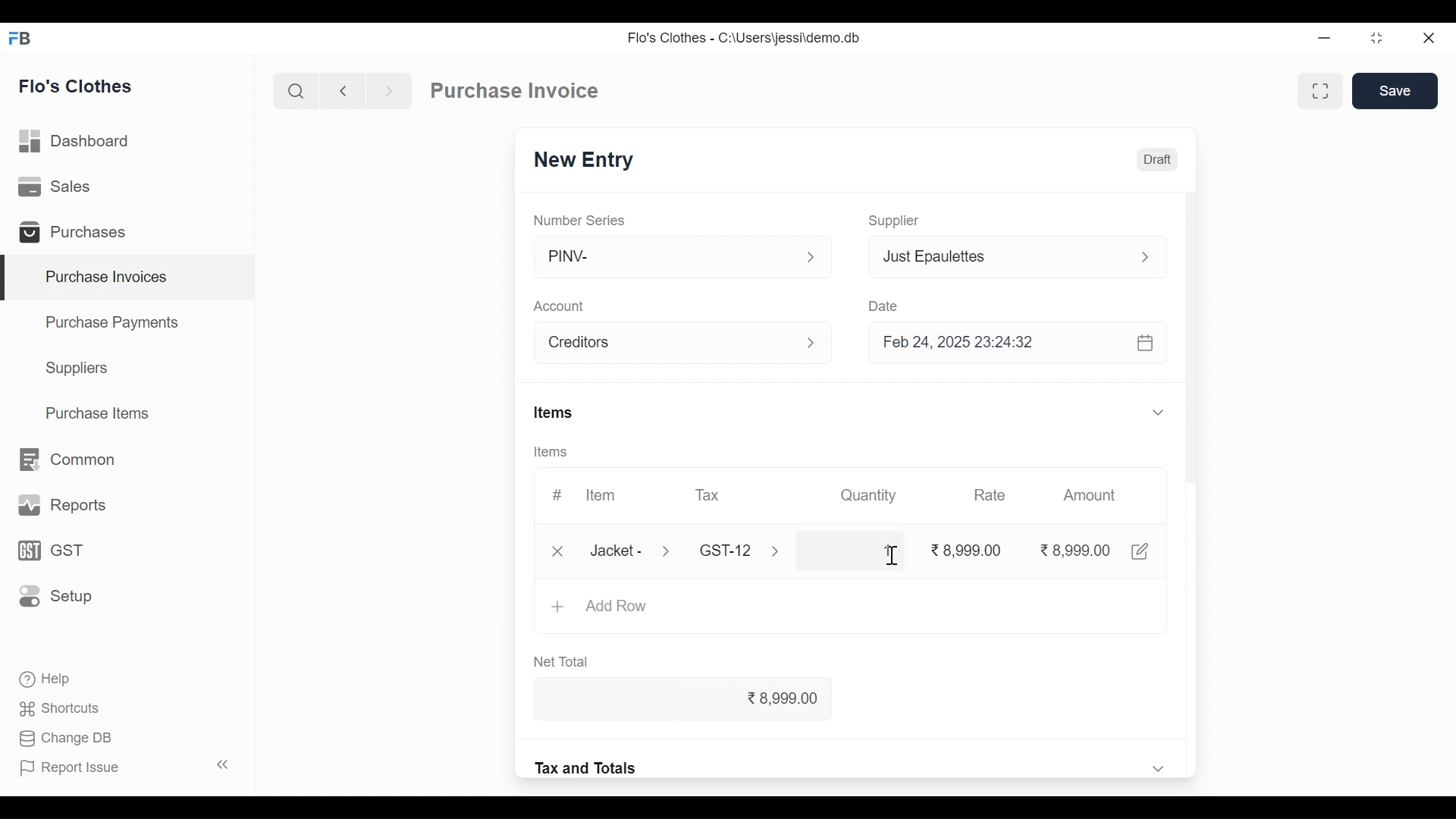 This screenshot has height=819, width=1456. Describe the element at coordinates (1376, 39) in the screenshot. I see `Restore` at that location.